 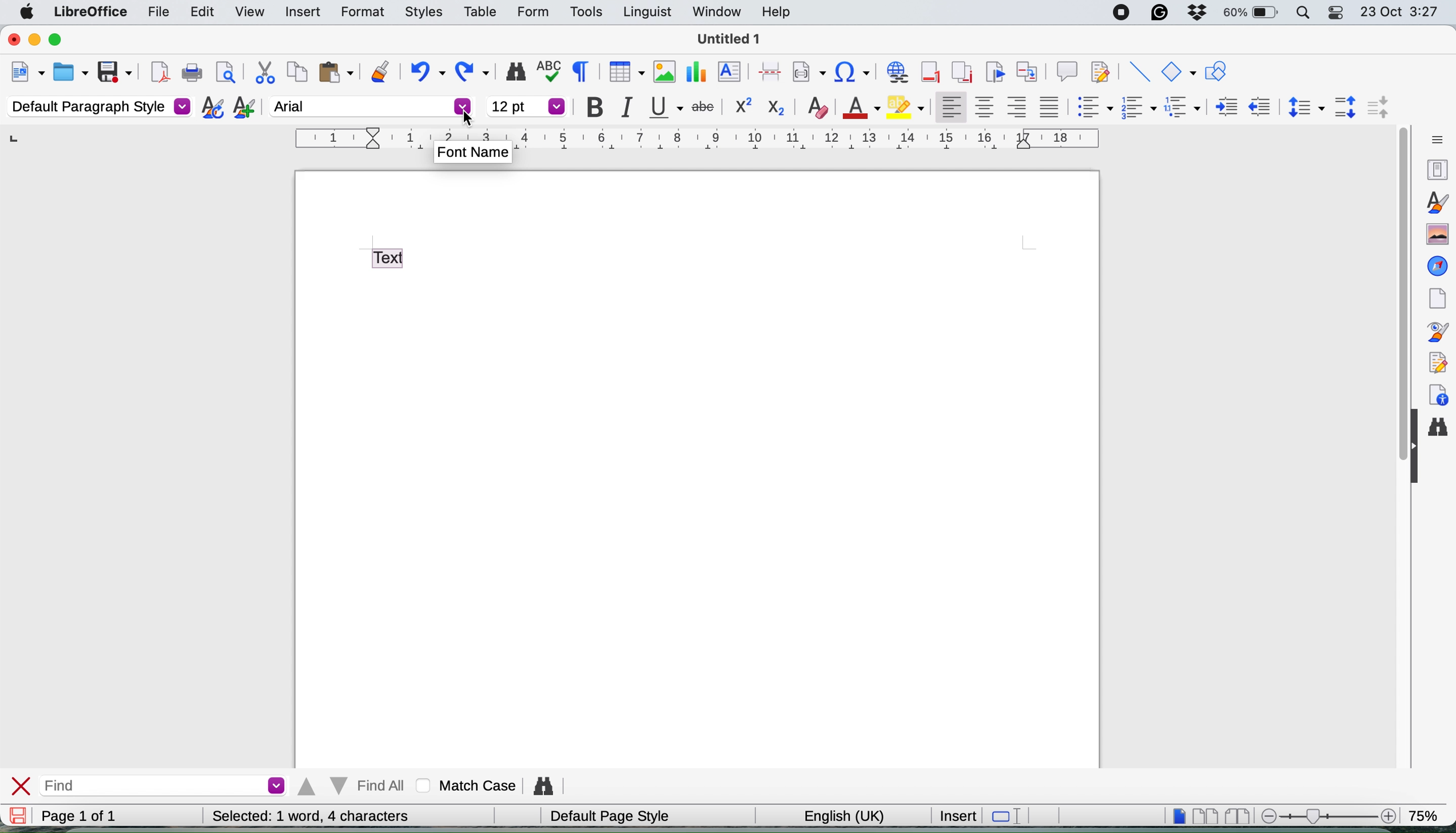 I want to click on navigator, so click(x=1438, y=266).